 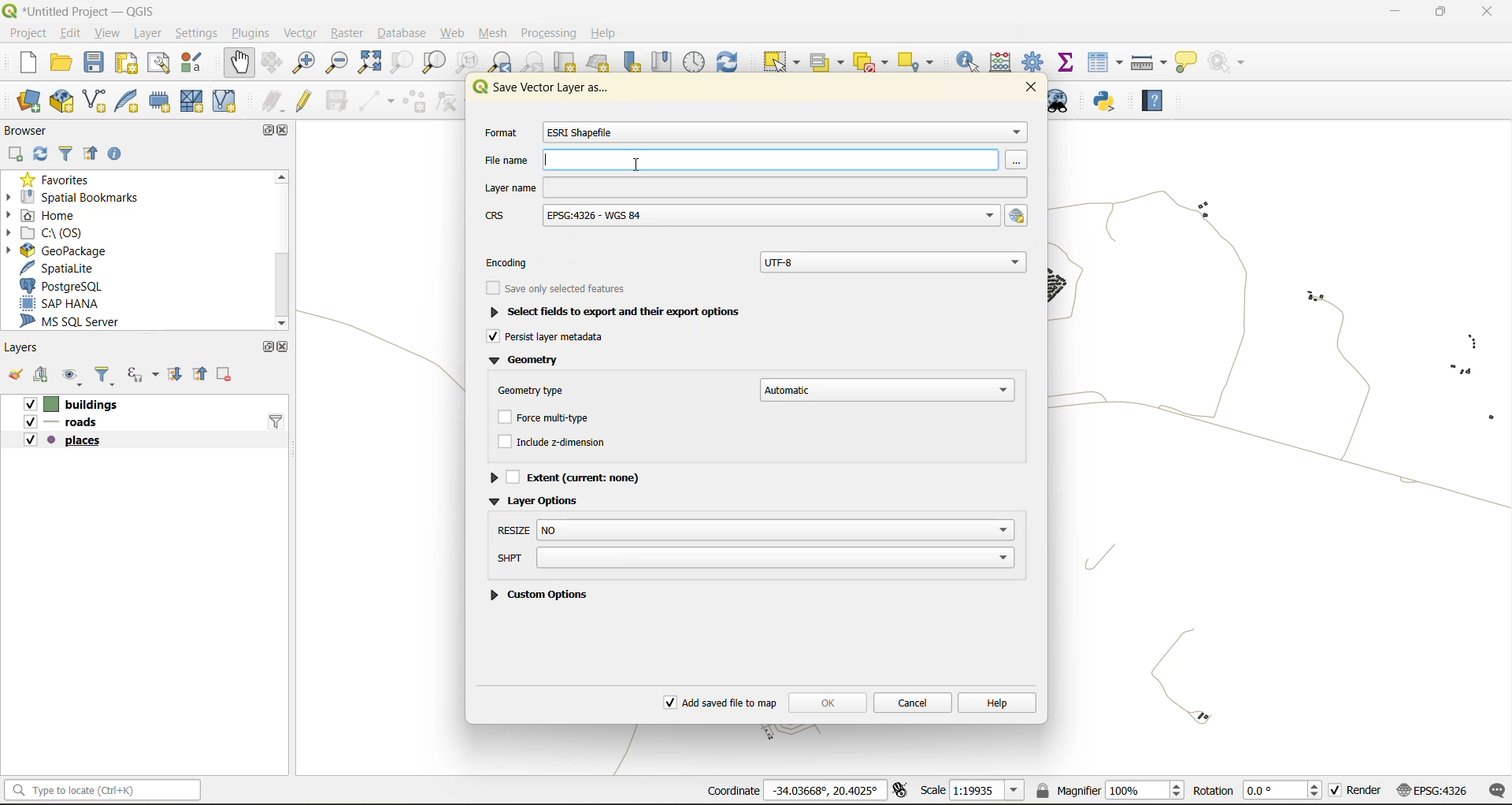 What do you see at coordinates (1258, 792) in the screenshot?
I see `rotation` at bounding box center [1258, 792].